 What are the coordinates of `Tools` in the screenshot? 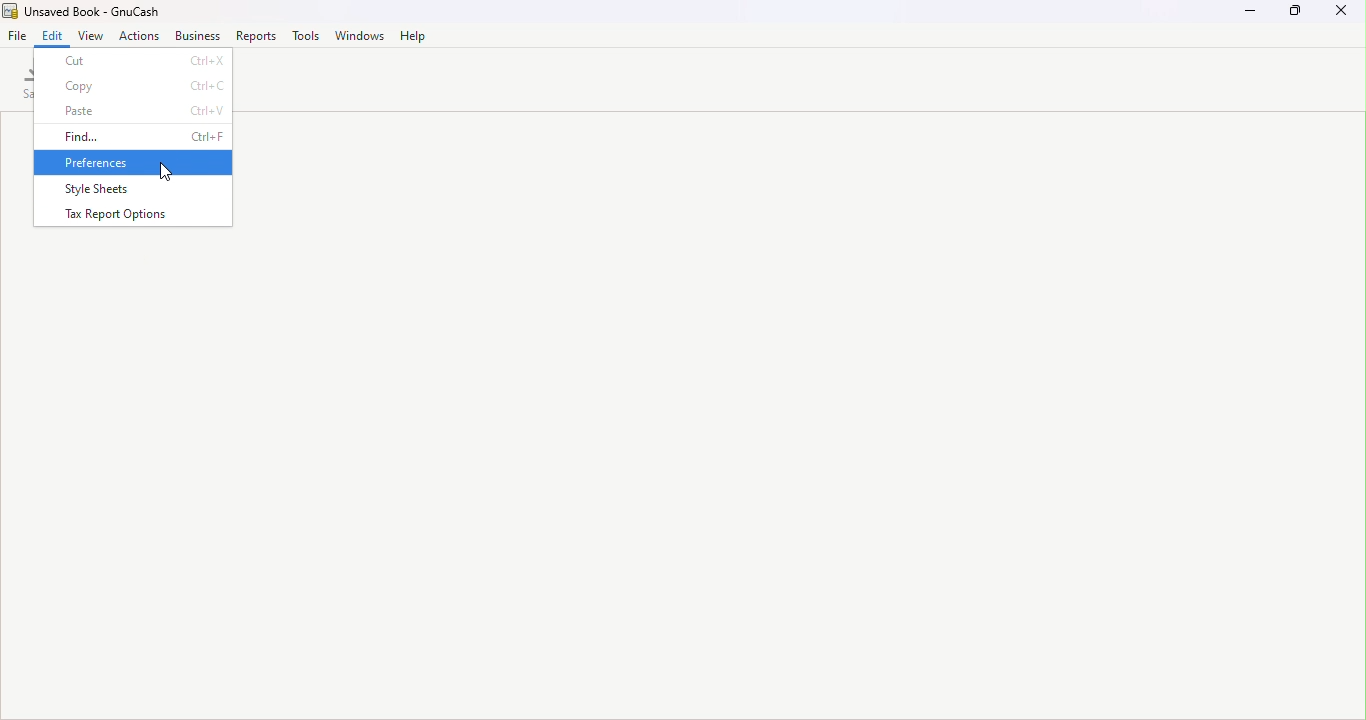 It's located at (308, 36).